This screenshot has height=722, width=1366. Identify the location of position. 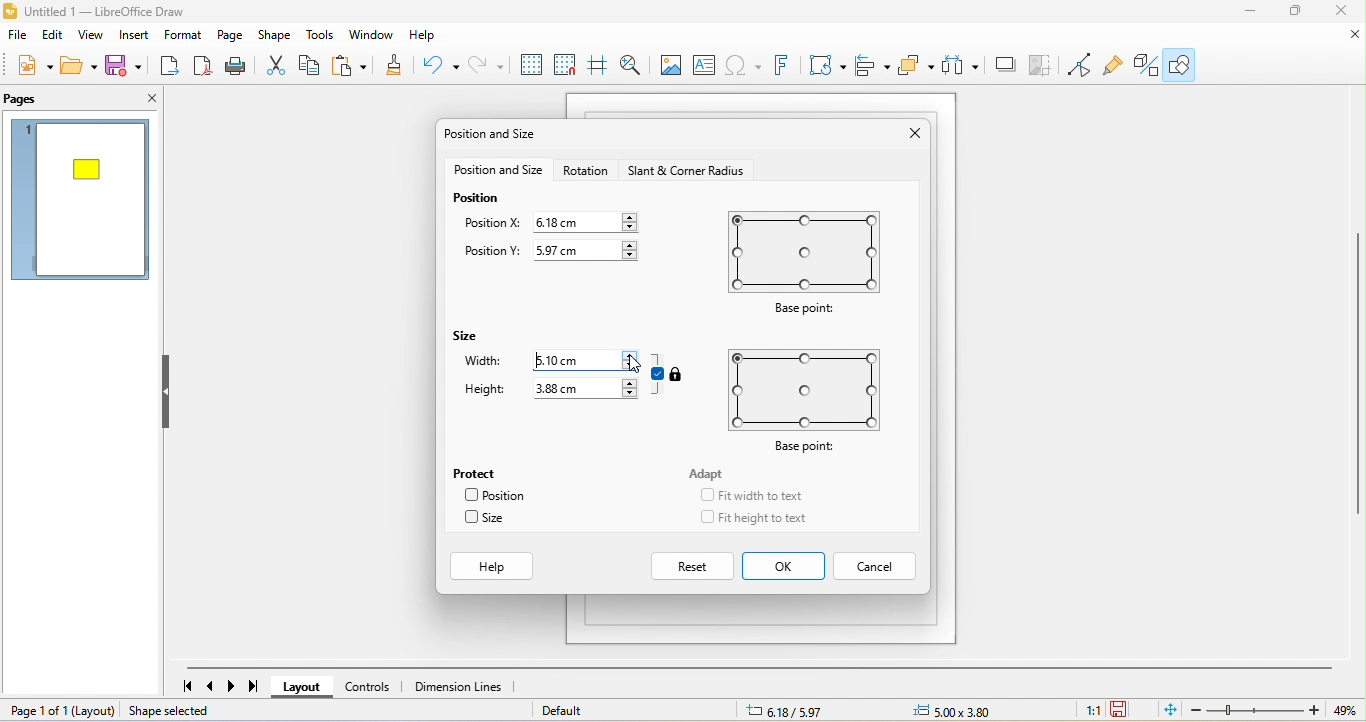
(499, 495).